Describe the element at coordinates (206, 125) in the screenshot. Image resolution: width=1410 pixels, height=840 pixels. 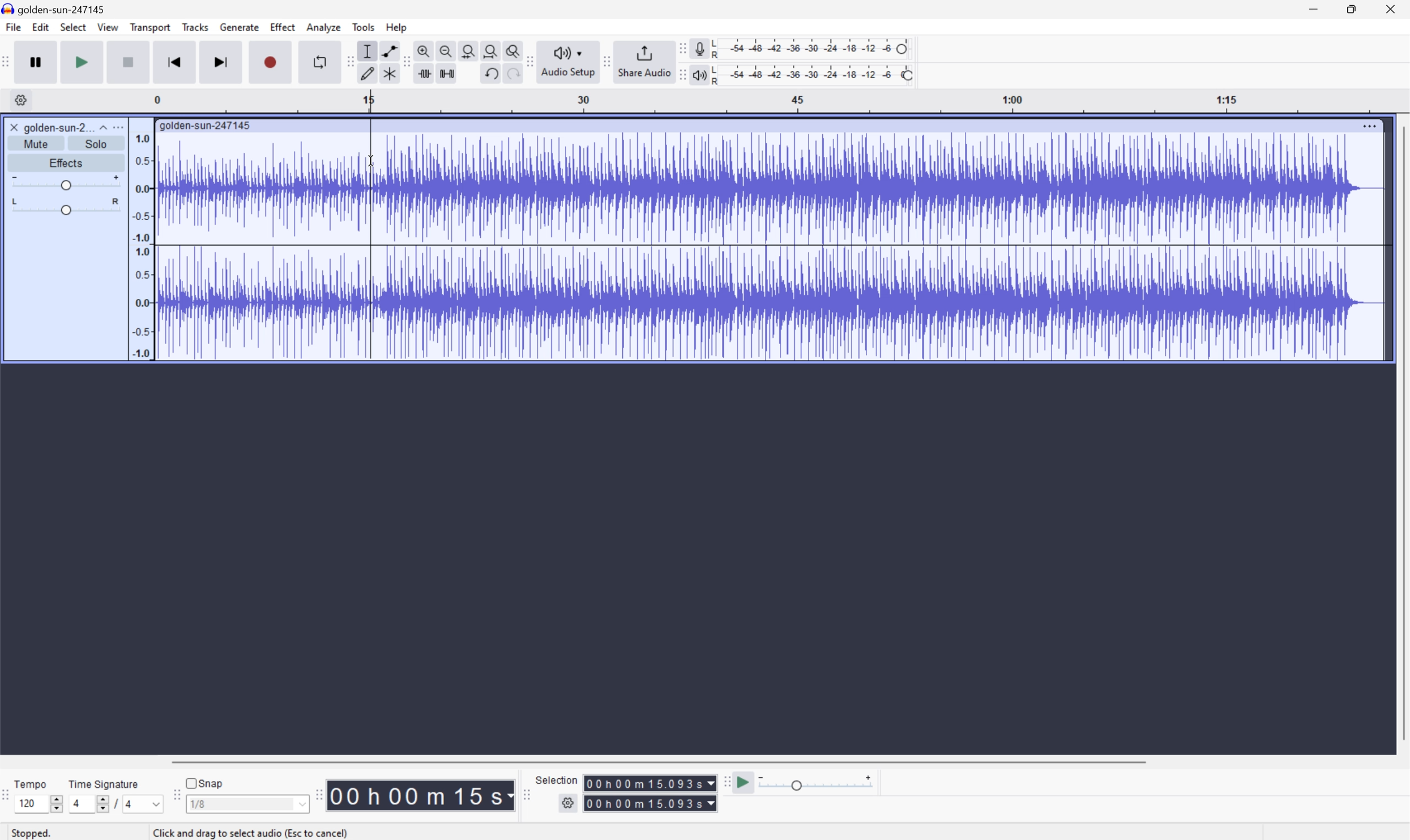
I see `golden-sun-247145` at that location.